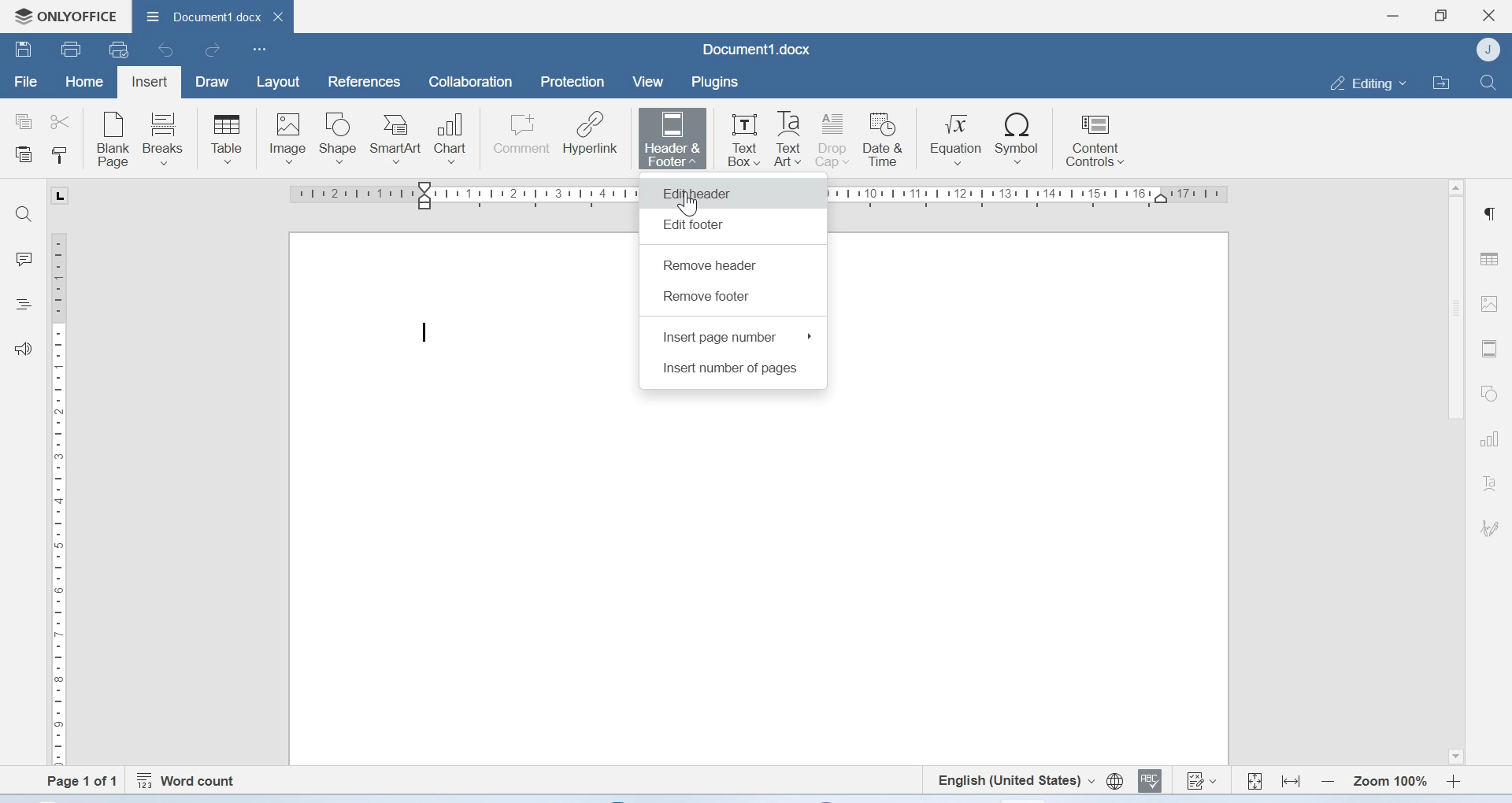 This screenshot has width=1512, height=803. What do you see at coordinates (887, 139) in the screenshot?
I see `Date & Time` at bounding box center [887, 139].